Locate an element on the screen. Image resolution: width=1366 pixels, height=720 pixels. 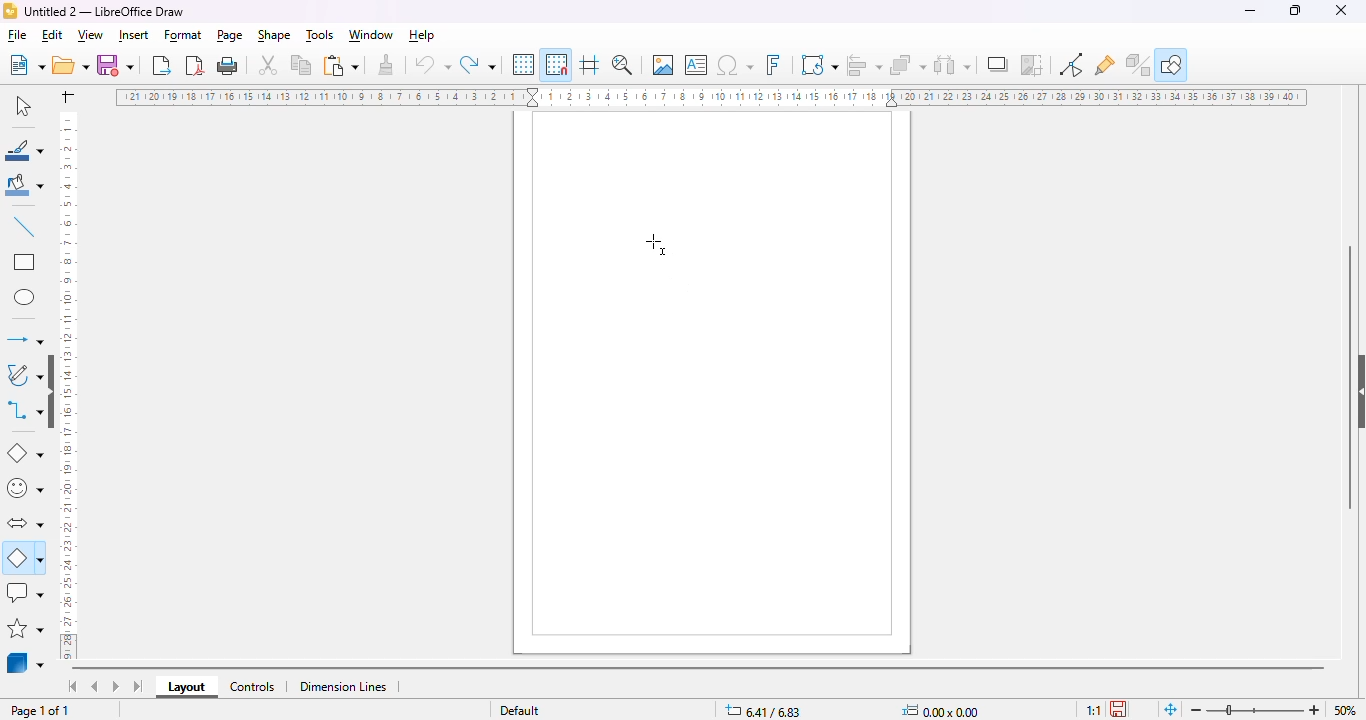
flowchart is located at coordinates (25, 557).